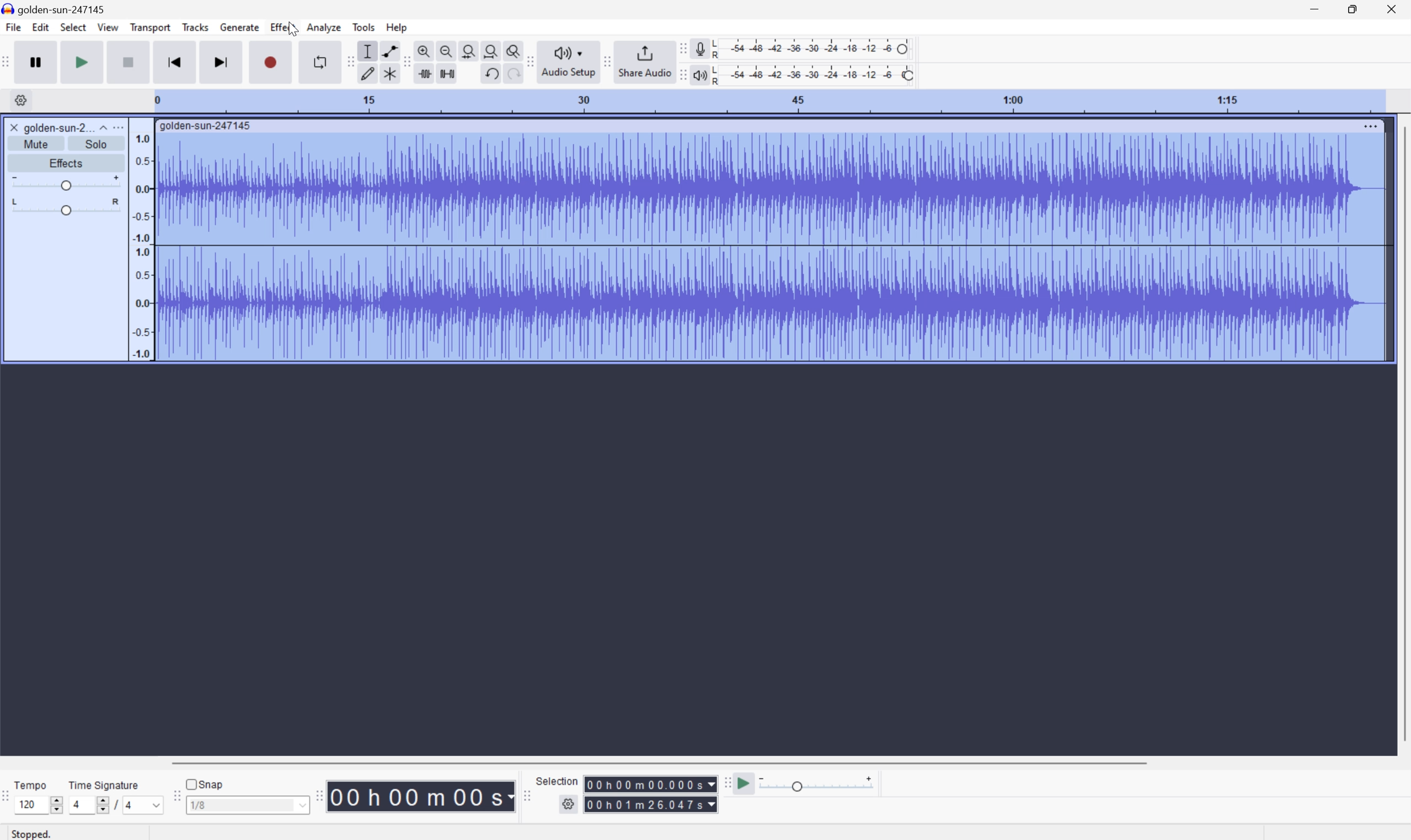  What do you see at coordinates (406, 63) in the screenshot?
I see `Audacity edit toolbar` at bounding box center [406, 63].